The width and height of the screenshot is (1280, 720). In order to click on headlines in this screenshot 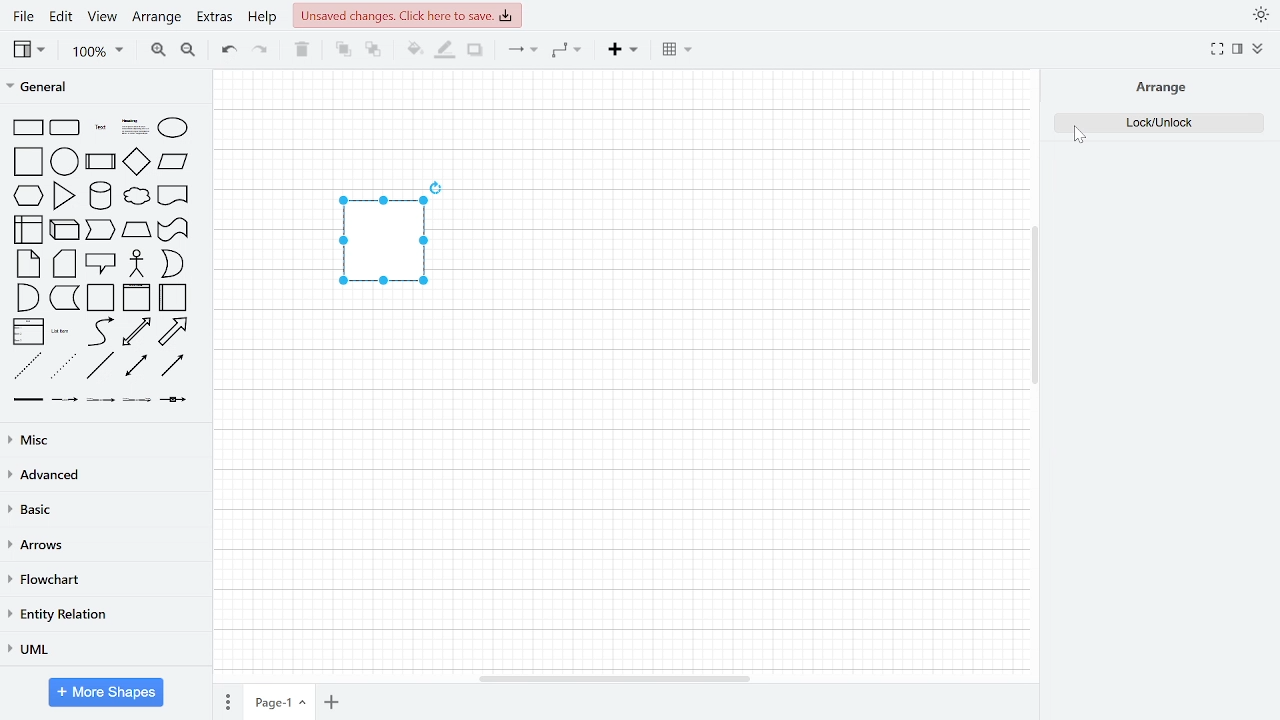, I will do `click(135, 127)`.